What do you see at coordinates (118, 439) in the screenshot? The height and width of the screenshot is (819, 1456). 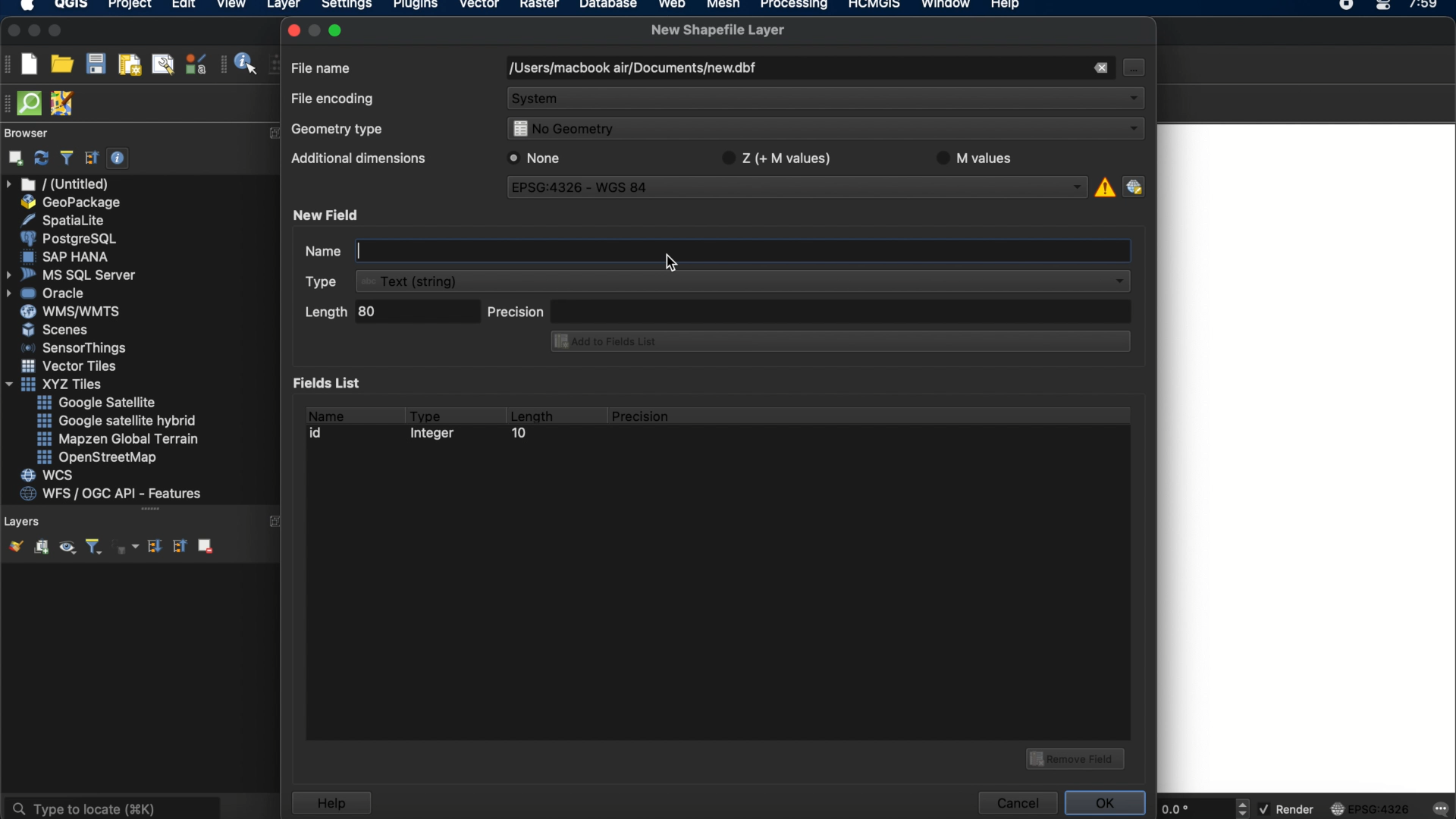 I see `mapzen global terrain` at bounding box center [118, 439].